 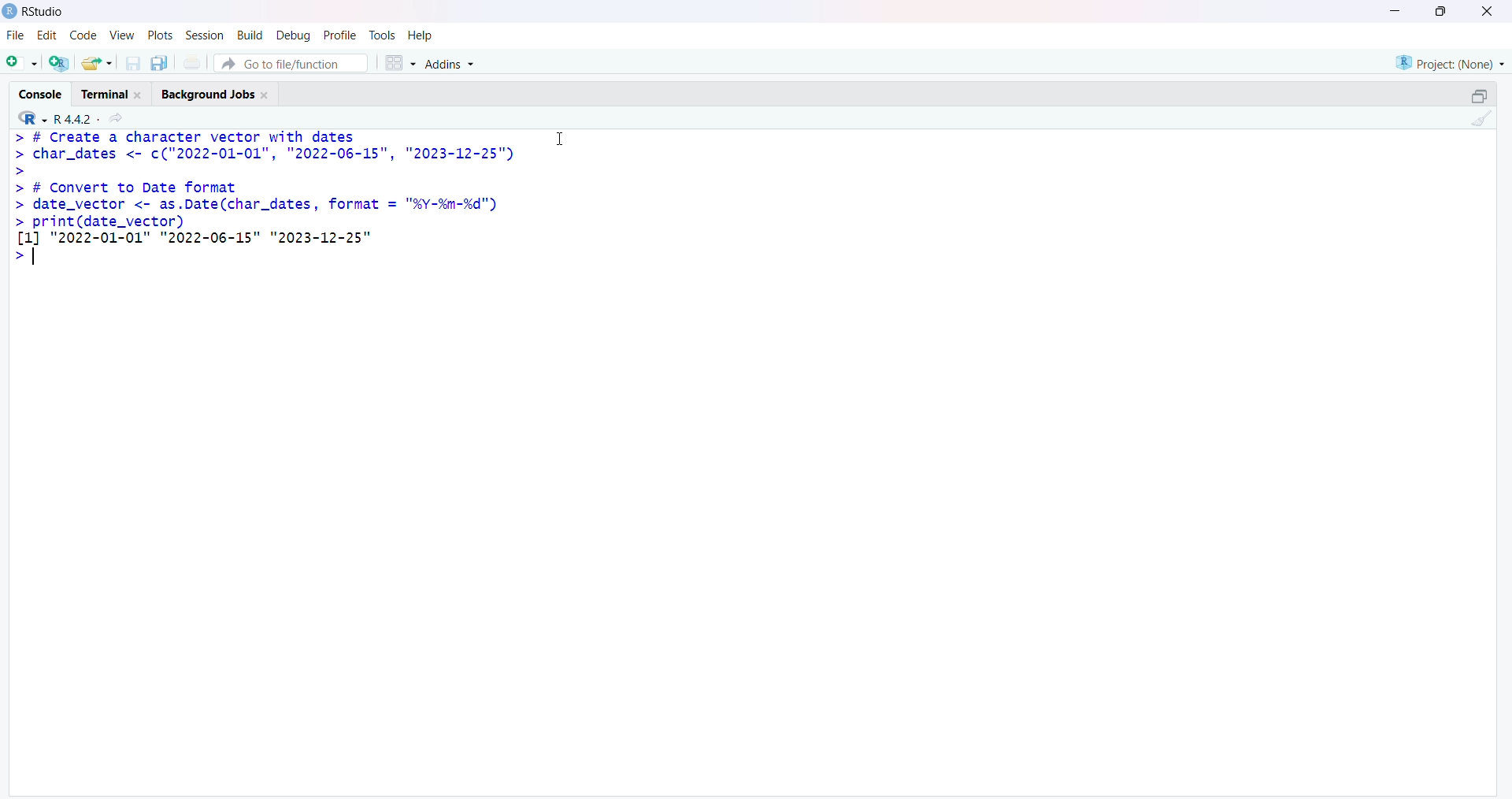 I want to click on File, so click(x=13, y=38).